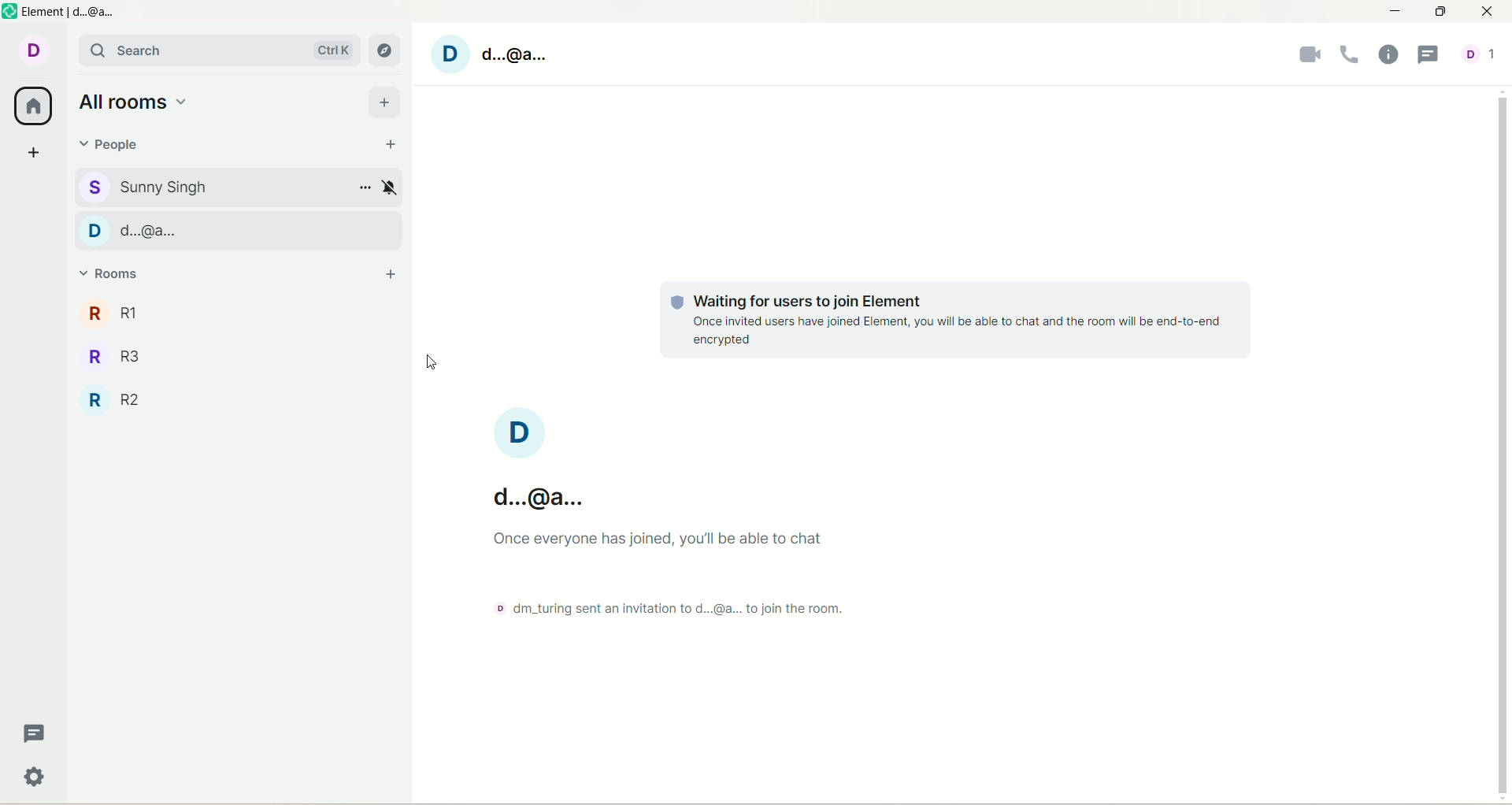 This screenshot has width=1512, height=805. I want to click on text, so click(676, 572).